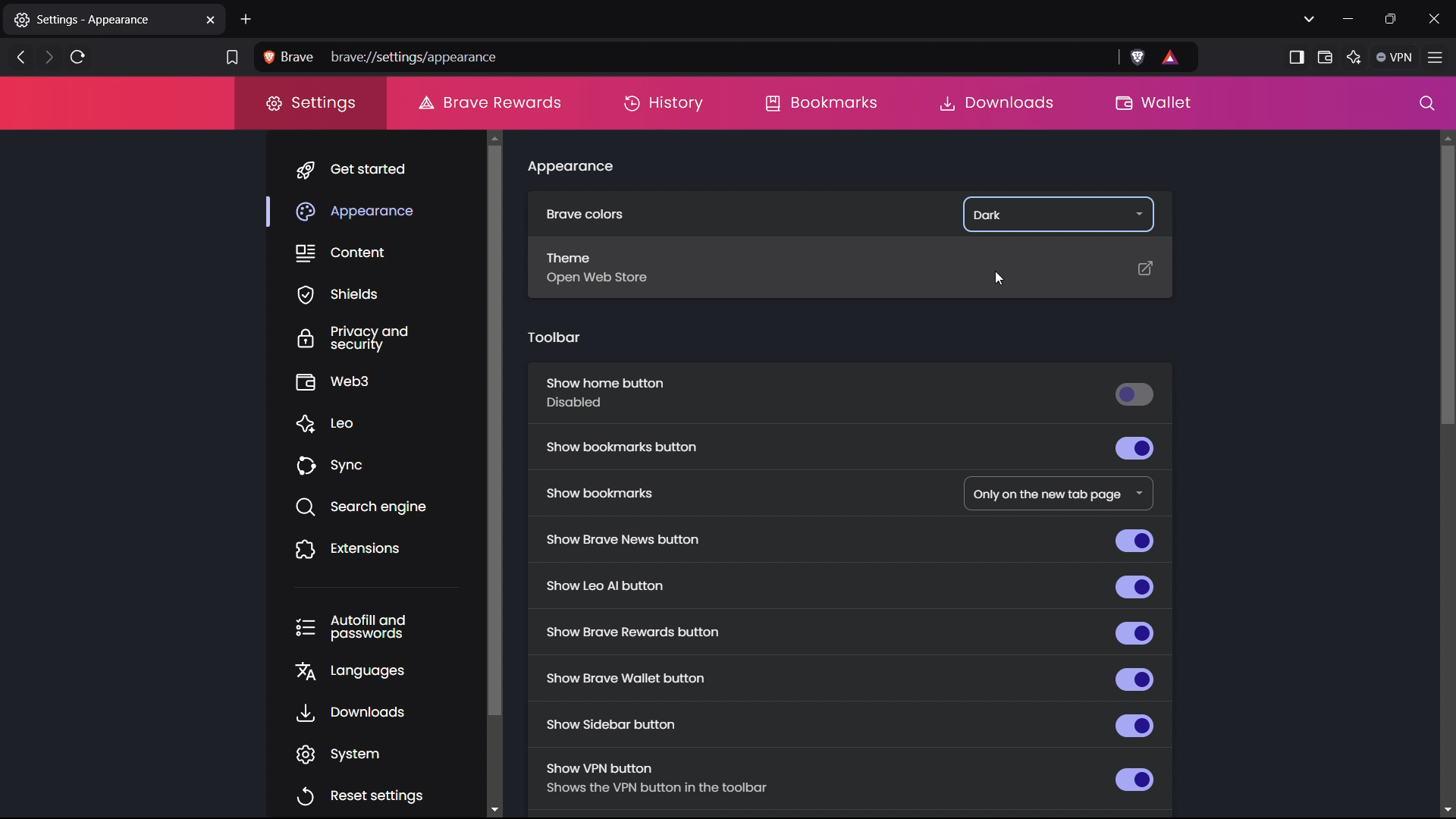 The image size is (1456, 819). I want to click on earn tokens, so click(1172, 58).